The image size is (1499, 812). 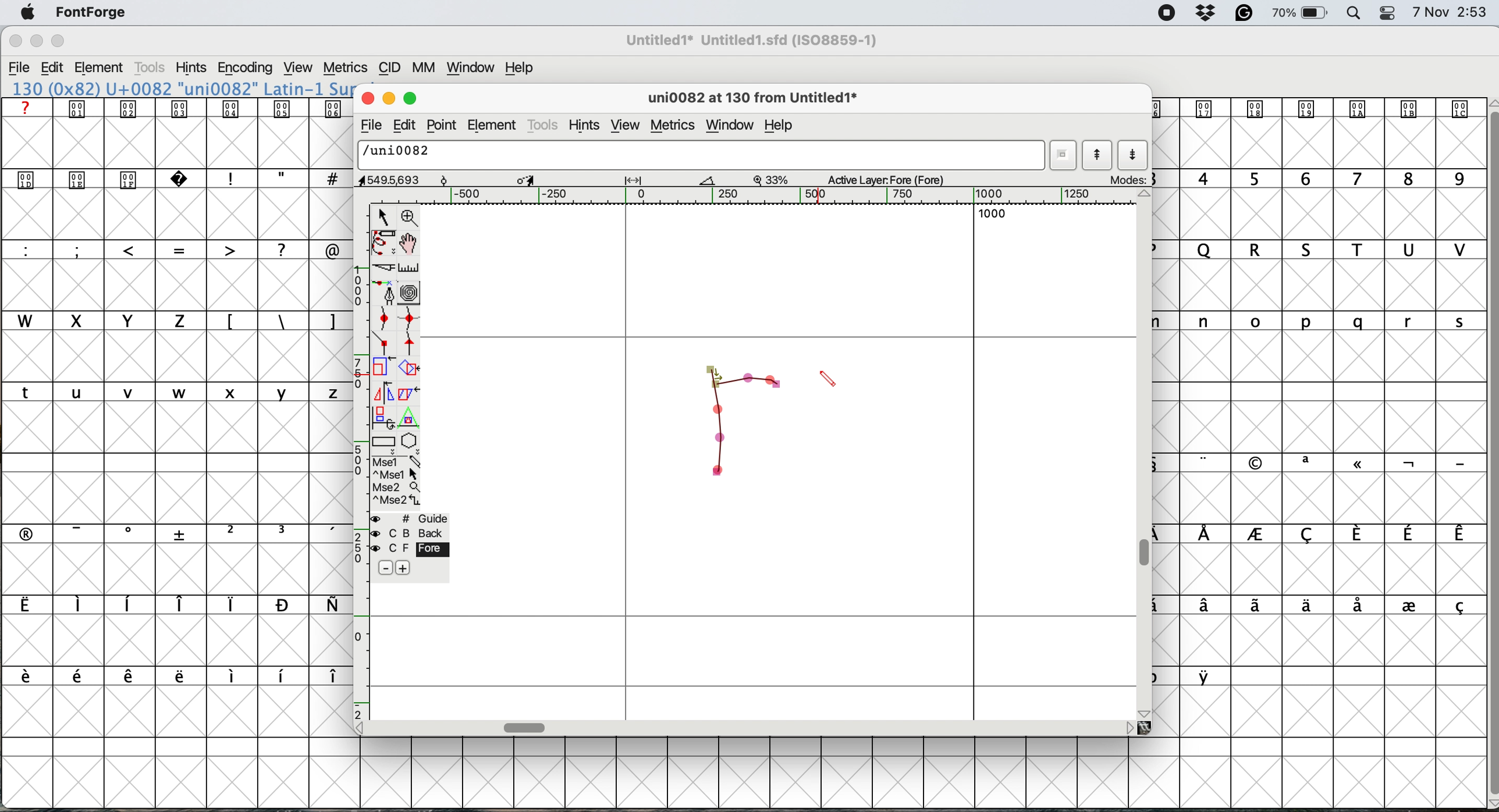 What do you see at coordinates (358, 461) in the screenshot?
I see `vertical scale` at bounding box center [358, 461].